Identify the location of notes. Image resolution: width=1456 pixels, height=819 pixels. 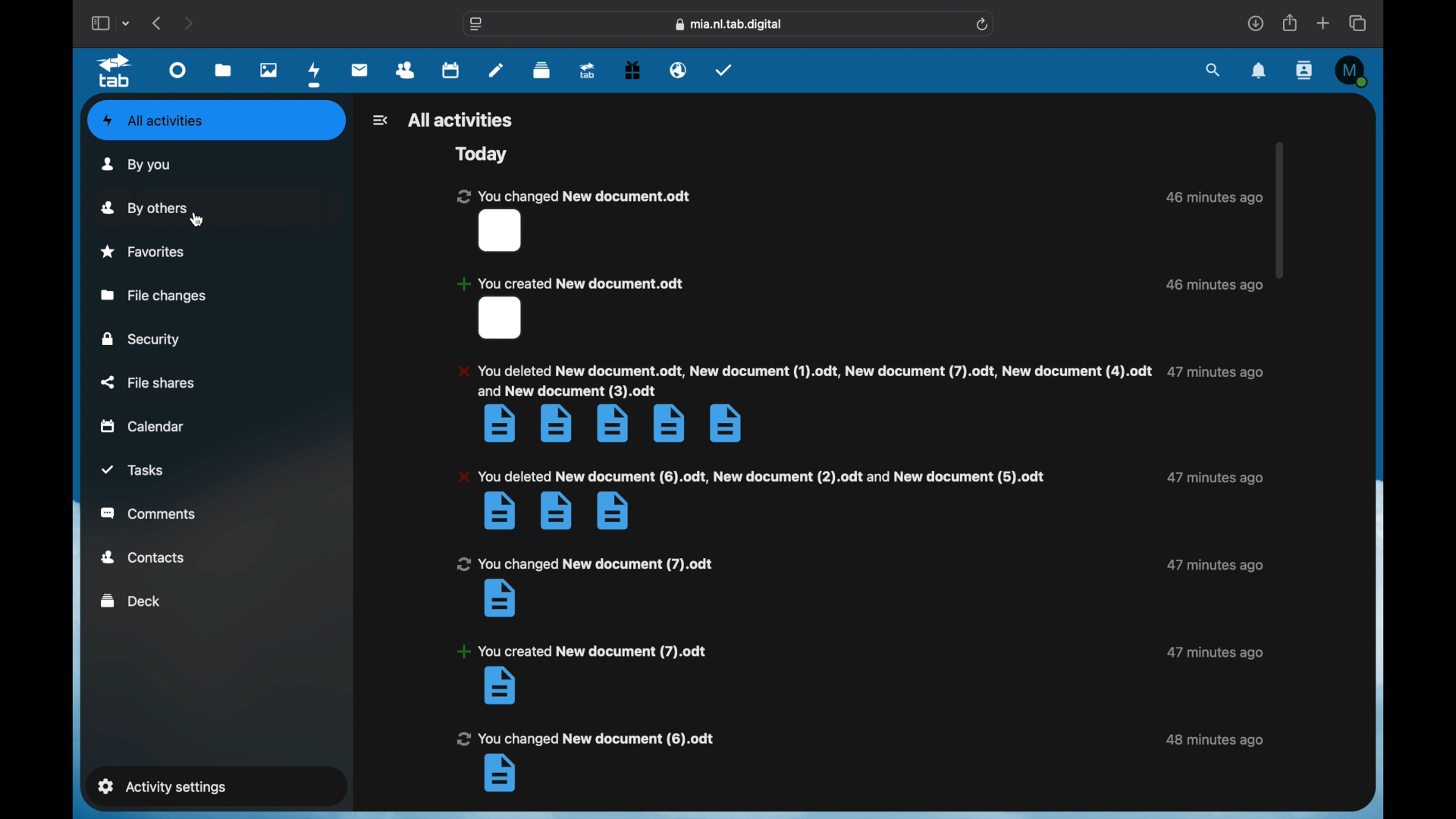
(495, 70).